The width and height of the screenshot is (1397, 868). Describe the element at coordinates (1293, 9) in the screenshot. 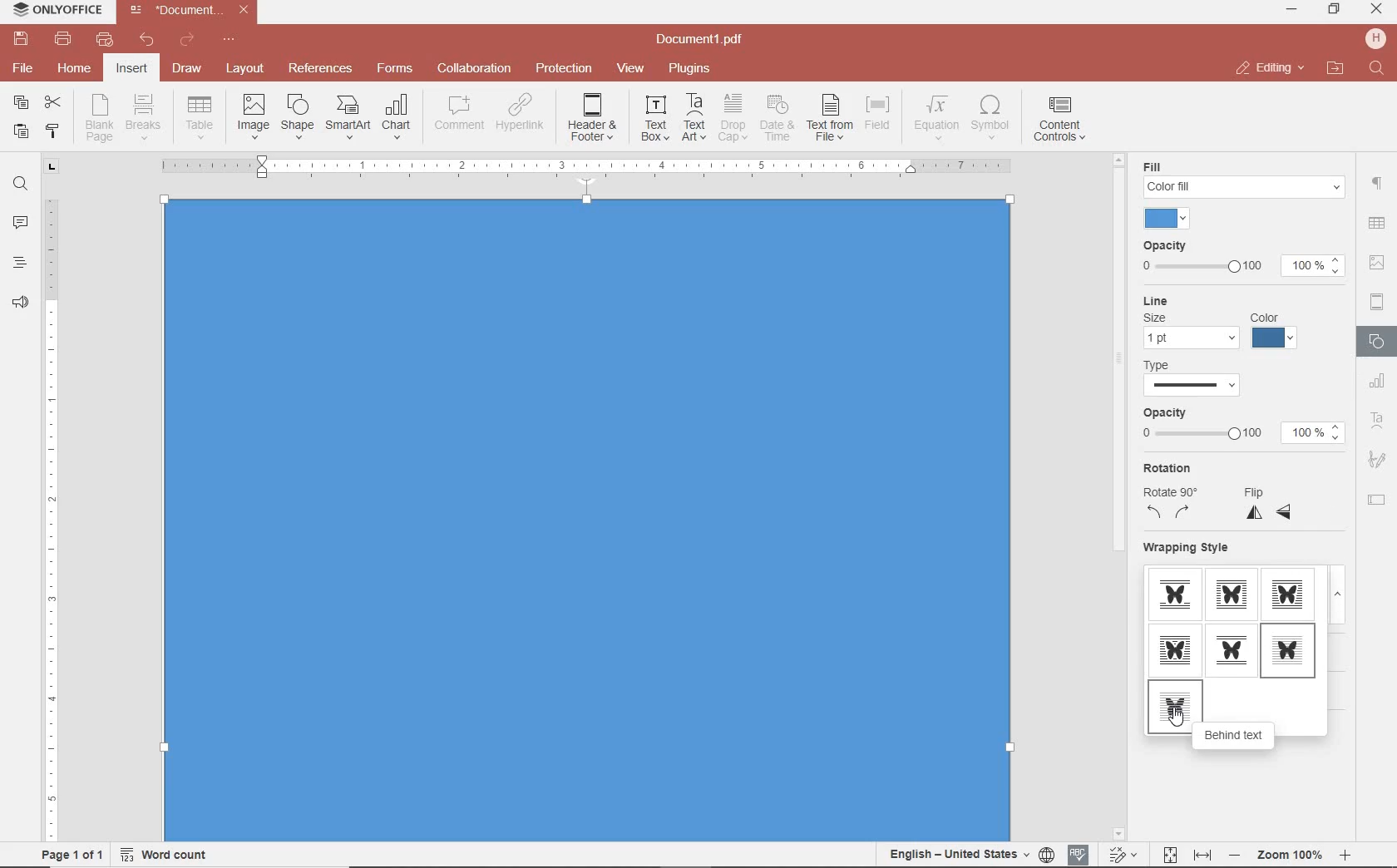

I see `minimize` at that location.